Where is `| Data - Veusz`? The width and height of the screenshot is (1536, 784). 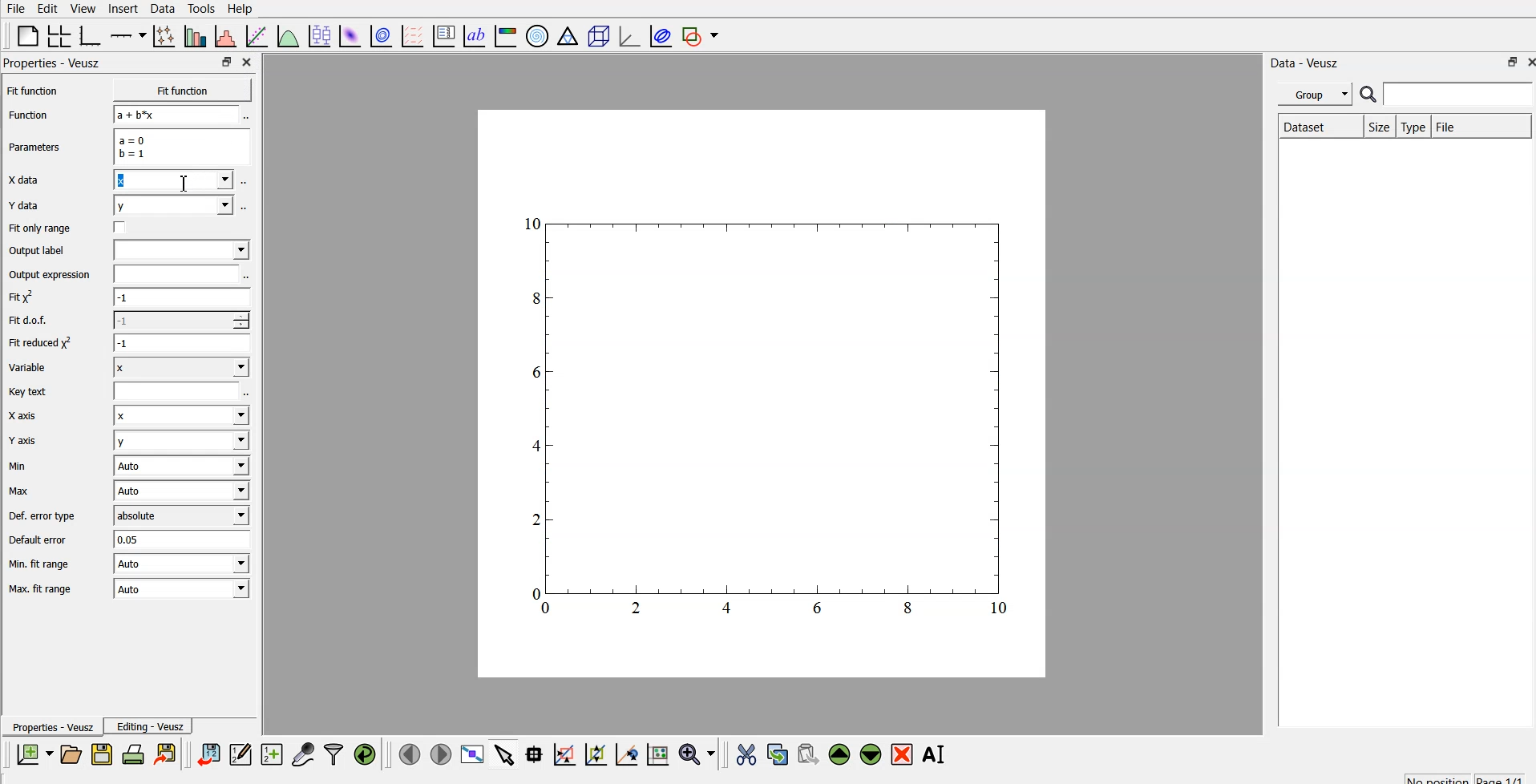
| Data - Veusz is located at coordinates (1303, 63).